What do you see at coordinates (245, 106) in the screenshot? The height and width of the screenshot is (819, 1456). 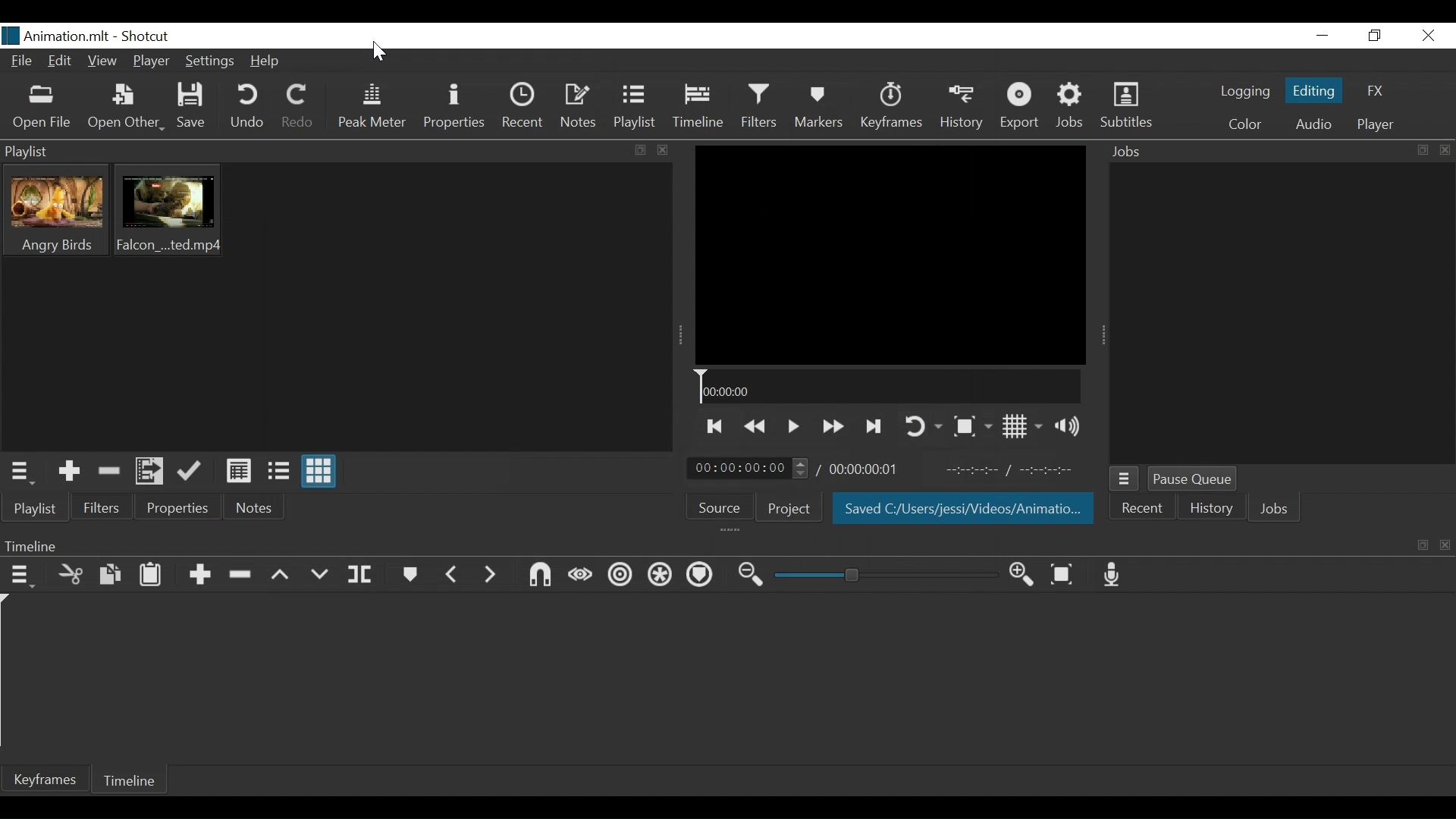 I see `Undo` at bounding box center [245, 106].